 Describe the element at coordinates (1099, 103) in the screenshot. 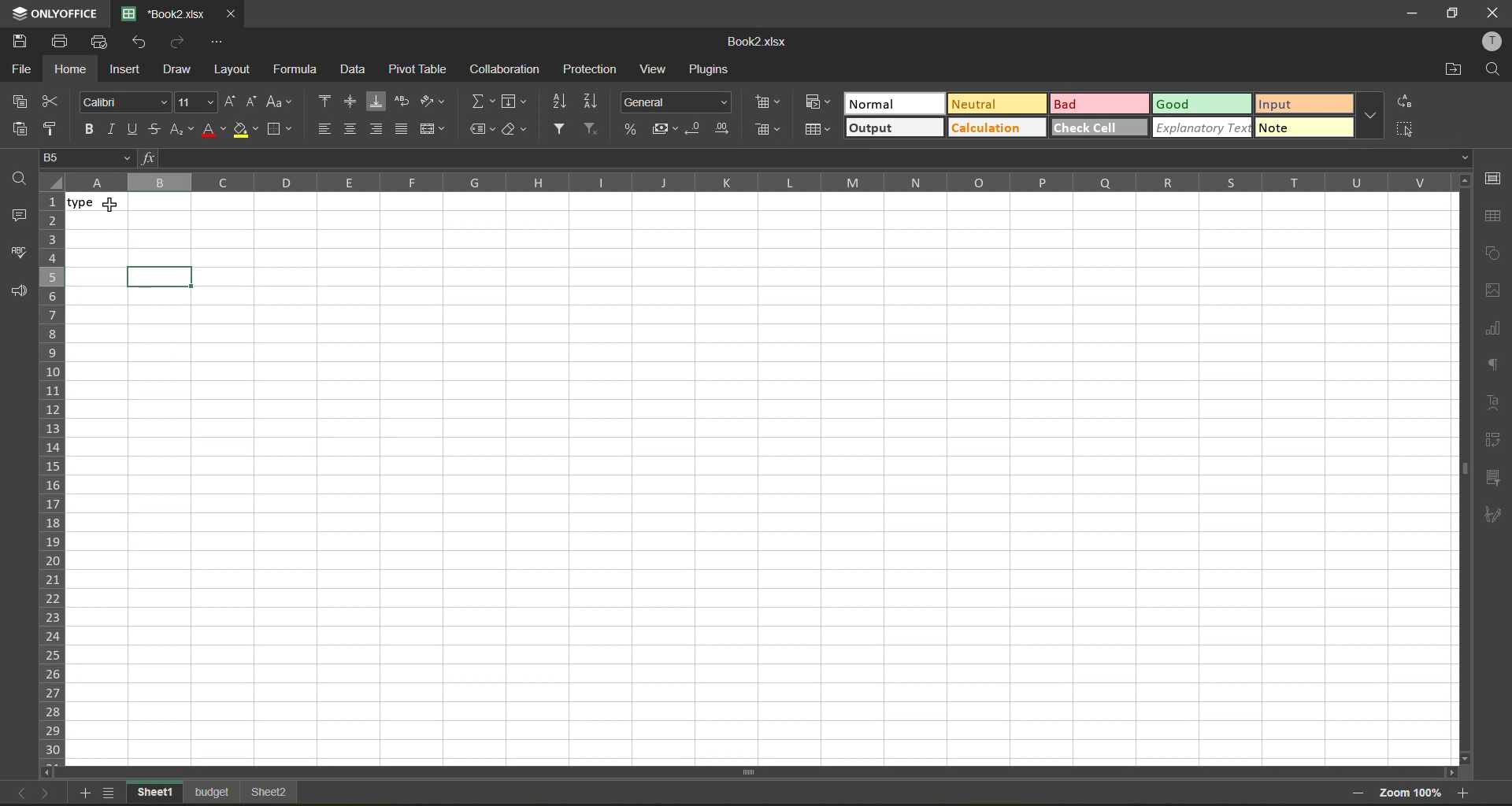

I see `bad` at that location.